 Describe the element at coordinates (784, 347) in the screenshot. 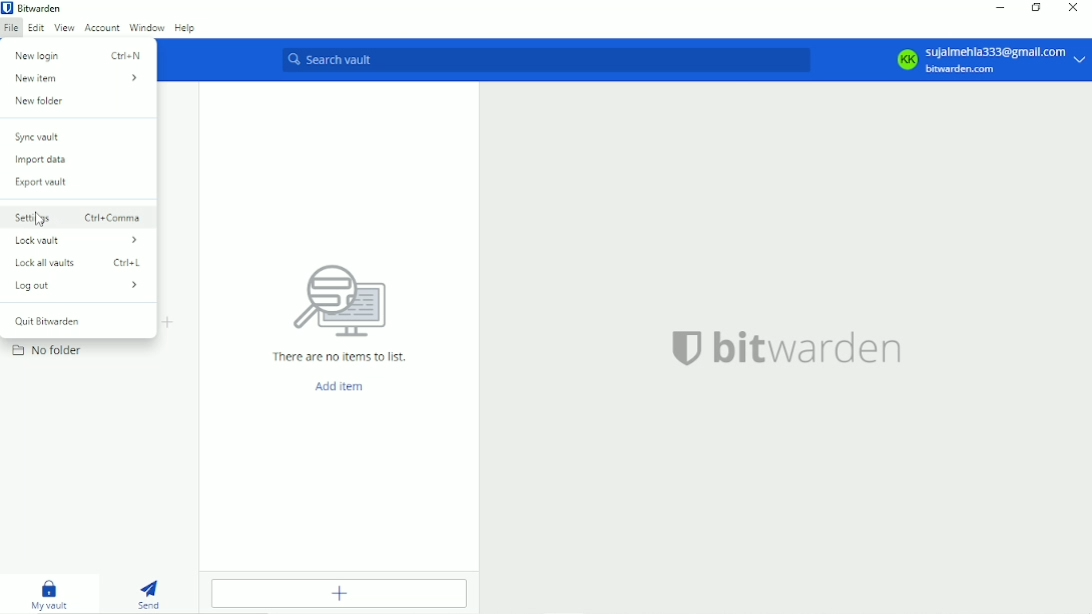

I see `bitwarden` at that location.